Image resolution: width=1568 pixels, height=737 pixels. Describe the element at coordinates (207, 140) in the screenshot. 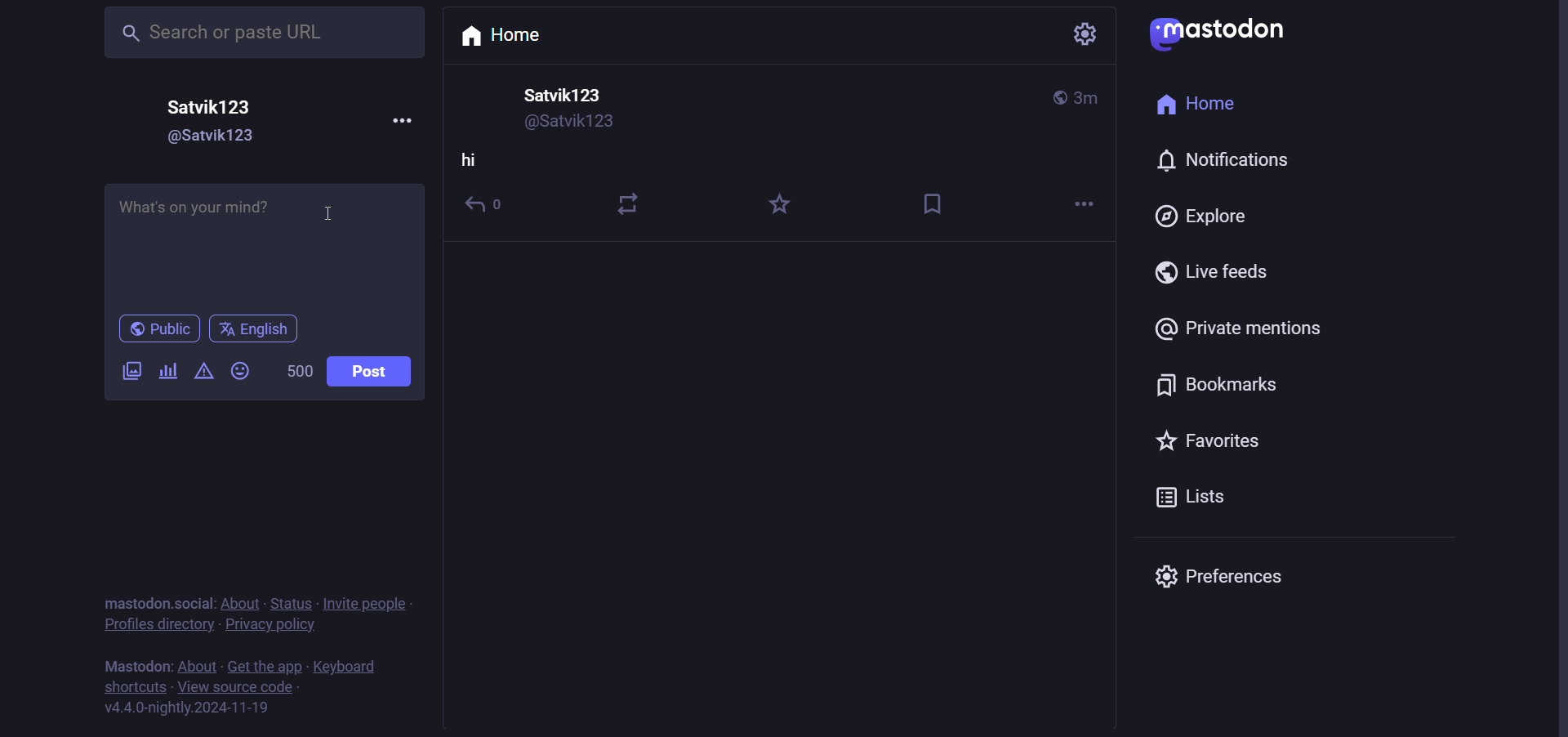

I see `user id` at that location.